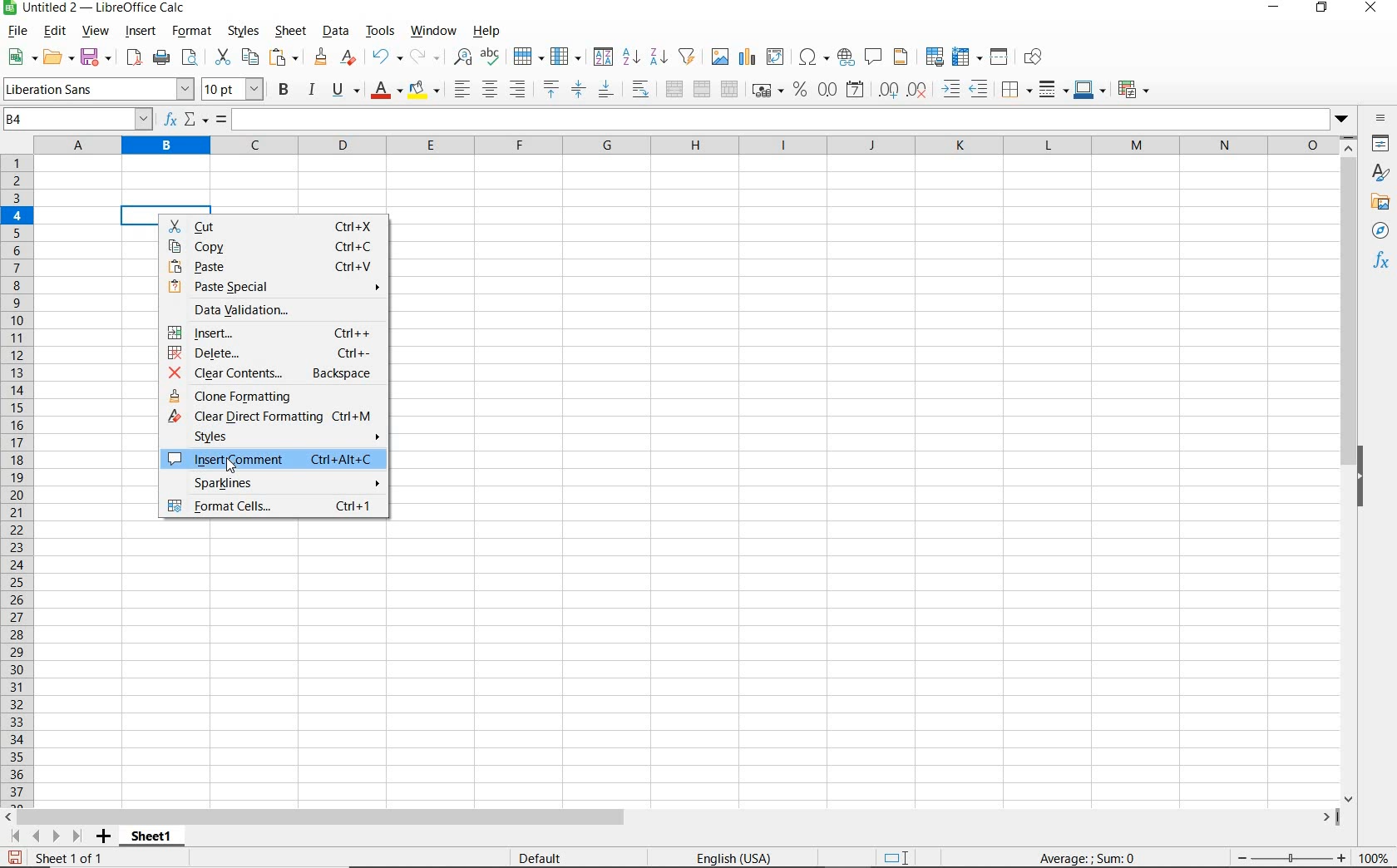  What do you see at coordinates (155, 839) in the screenshot?
I see `sheet1` at bounding box center [155, 839].